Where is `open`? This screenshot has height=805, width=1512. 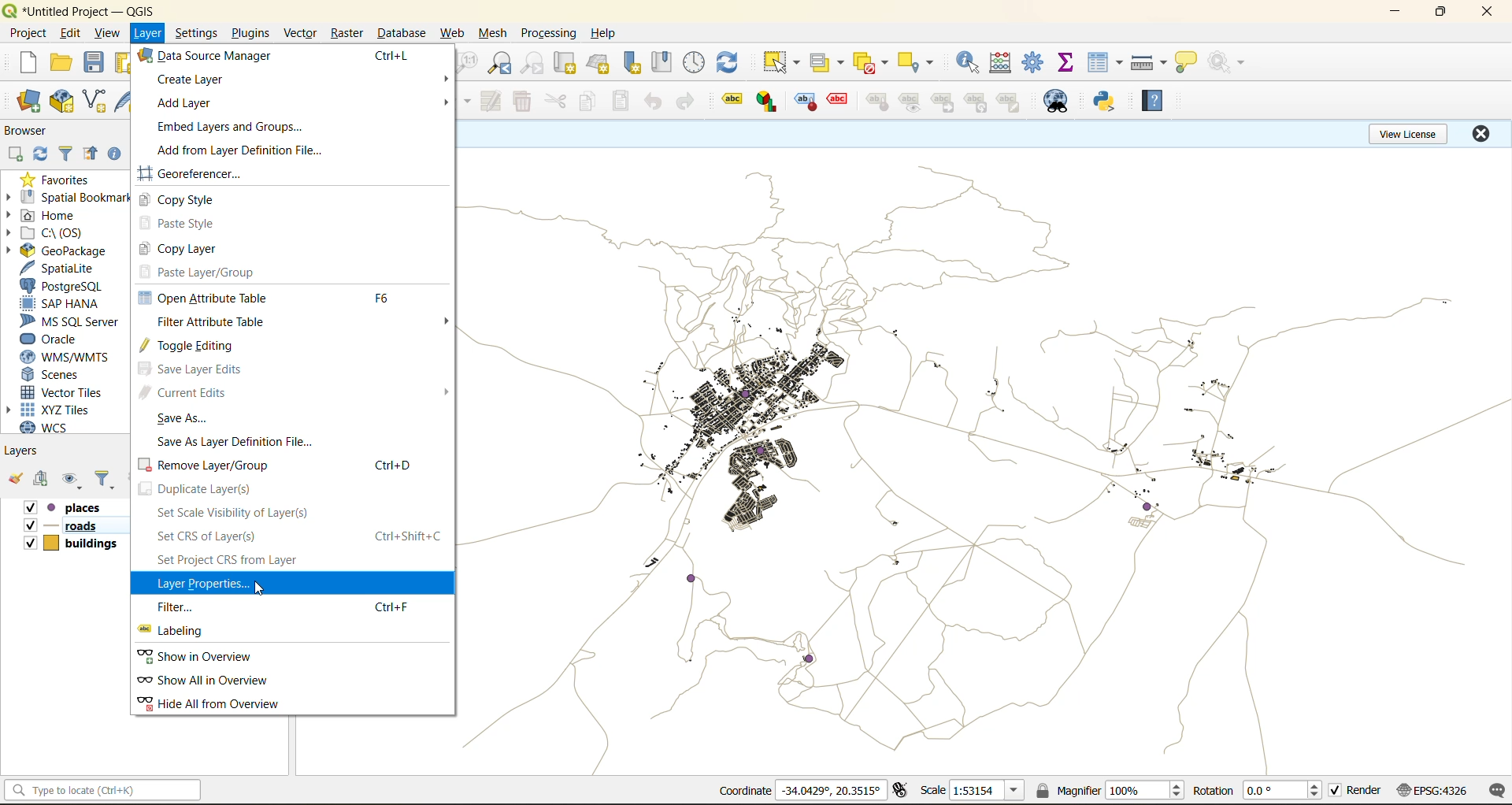
open is located at coordinates (65, 63).